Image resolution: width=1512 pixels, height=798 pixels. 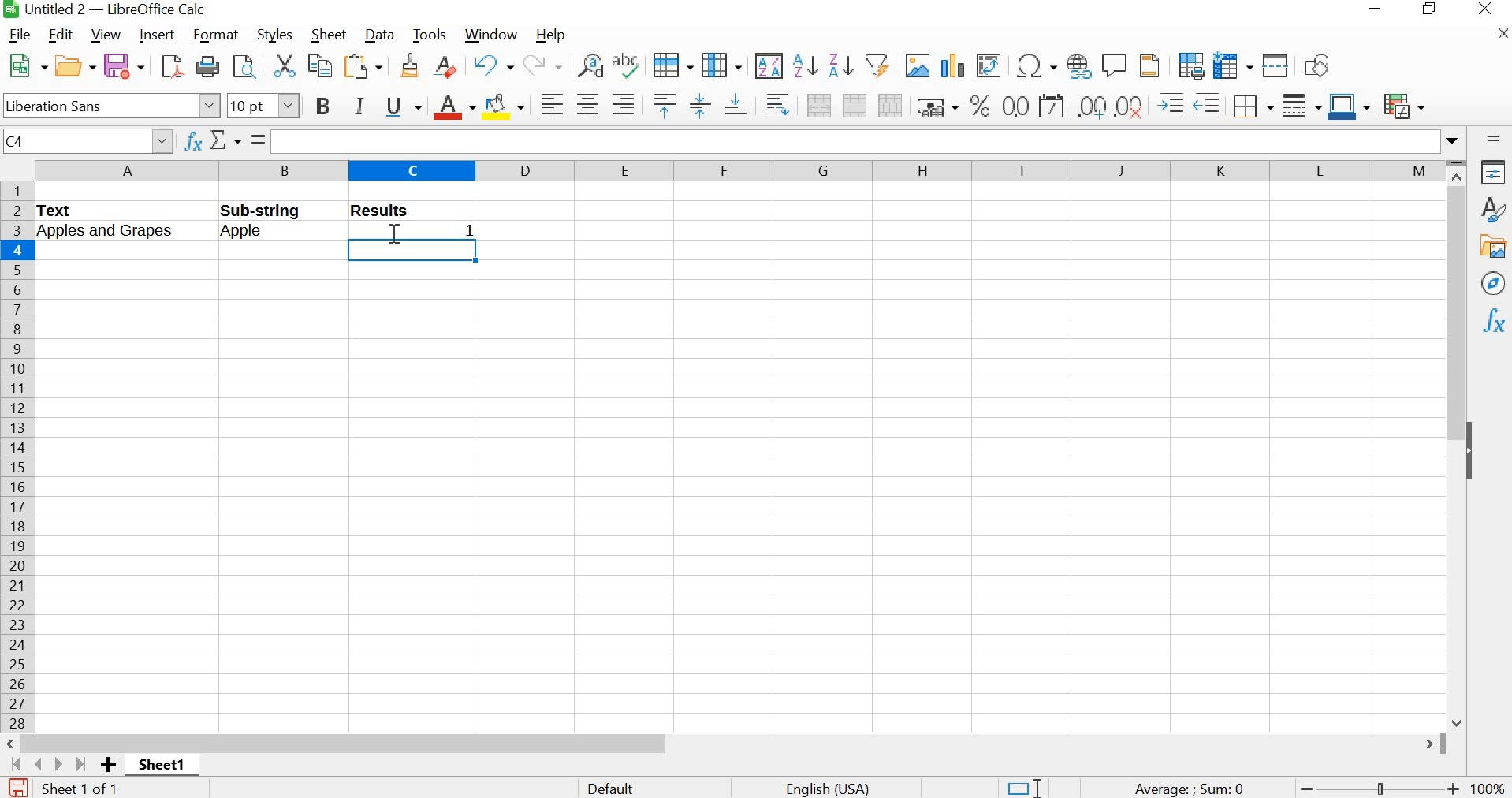 I want to click on row, so click(x=671, y=63).